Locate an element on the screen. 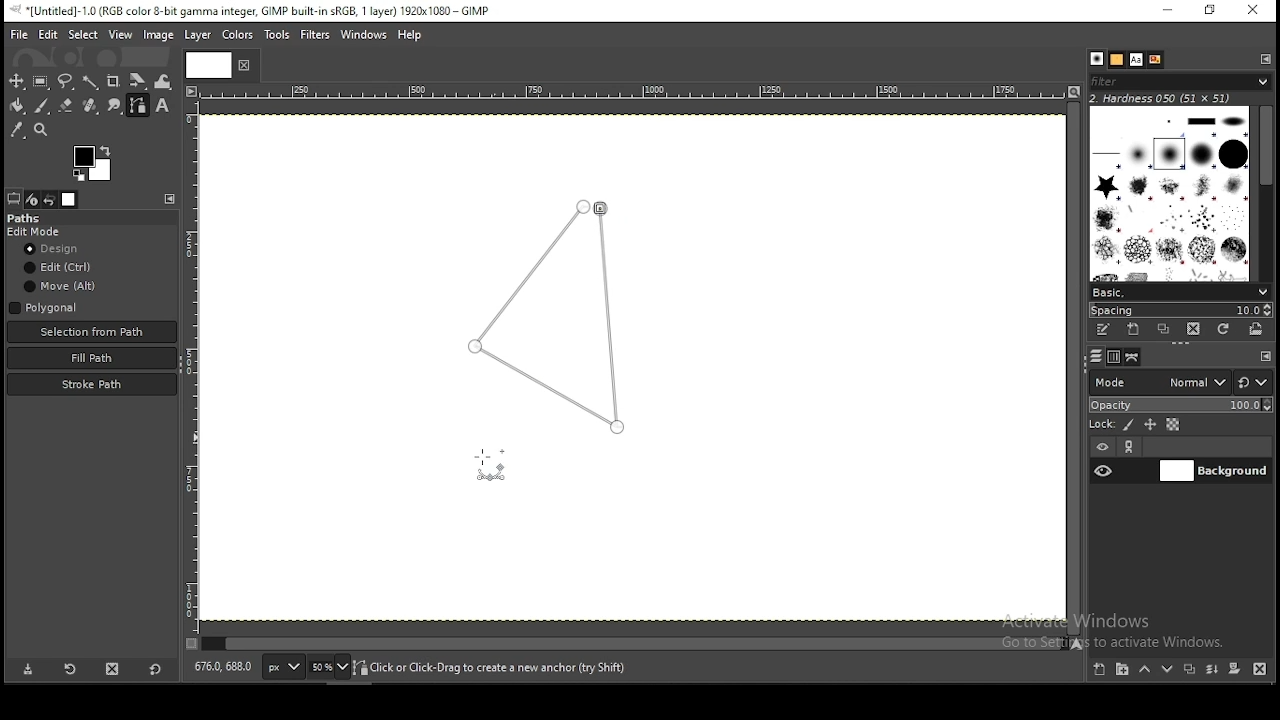 This screenshot has width=1280, height=720. delete tool preset is located at coordinates (113, 672).